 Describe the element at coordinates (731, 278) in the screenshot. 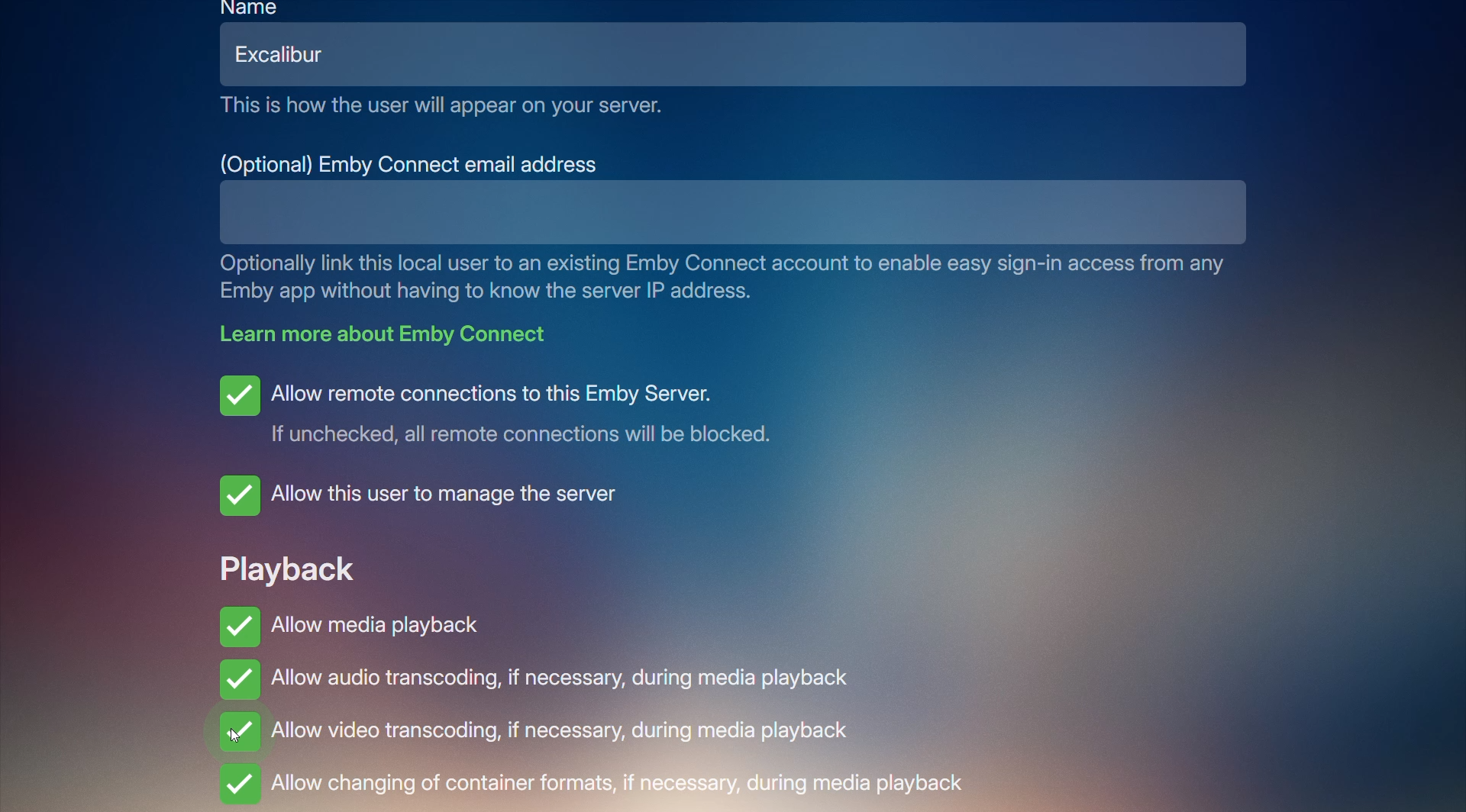

I see `Optionally link this local user to an existing Emby Connect account to enable easy sign-in access from any
Emby app without having to know the server IP address.` at that location.